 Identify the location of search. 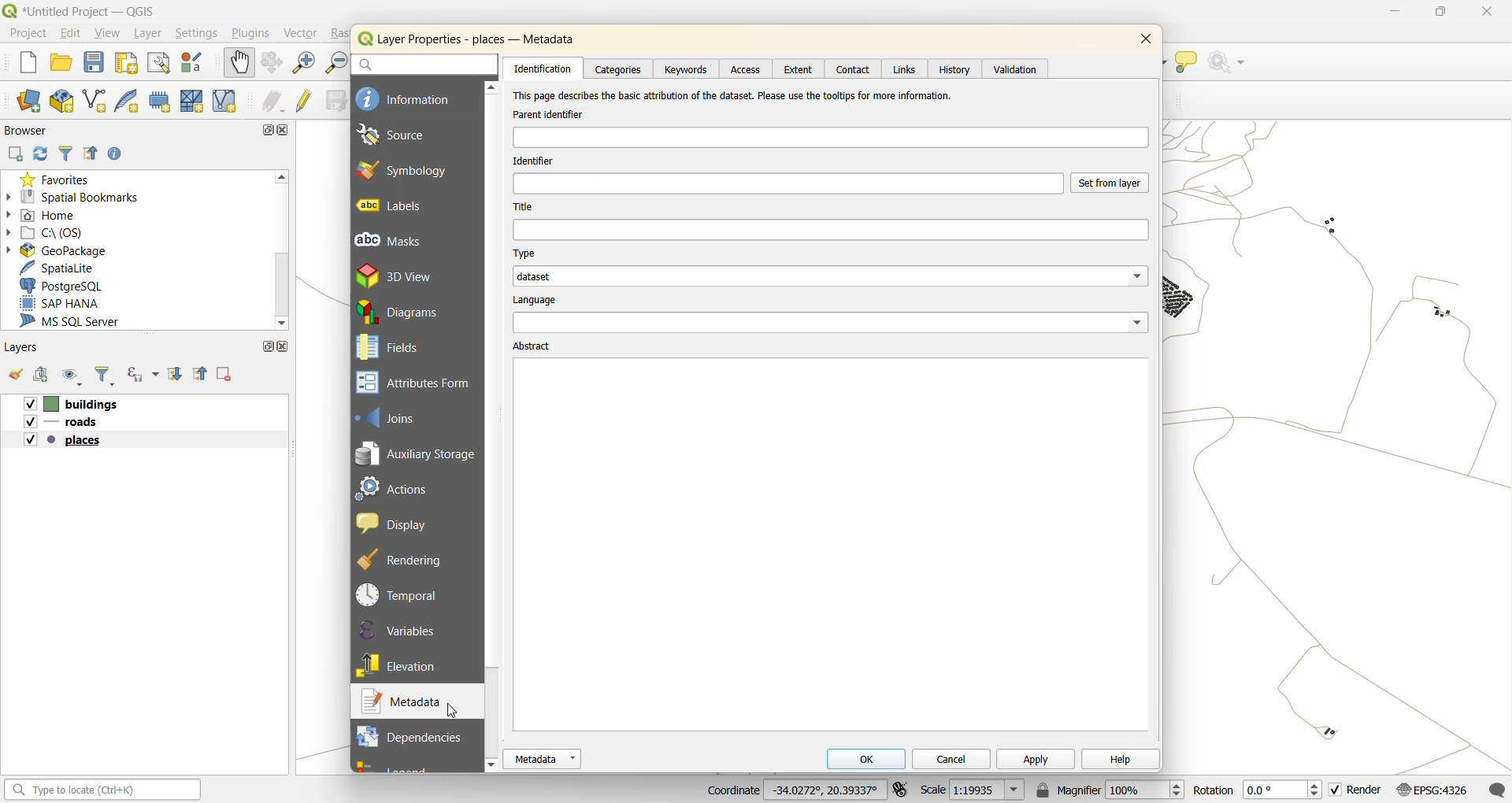
(423, 66).